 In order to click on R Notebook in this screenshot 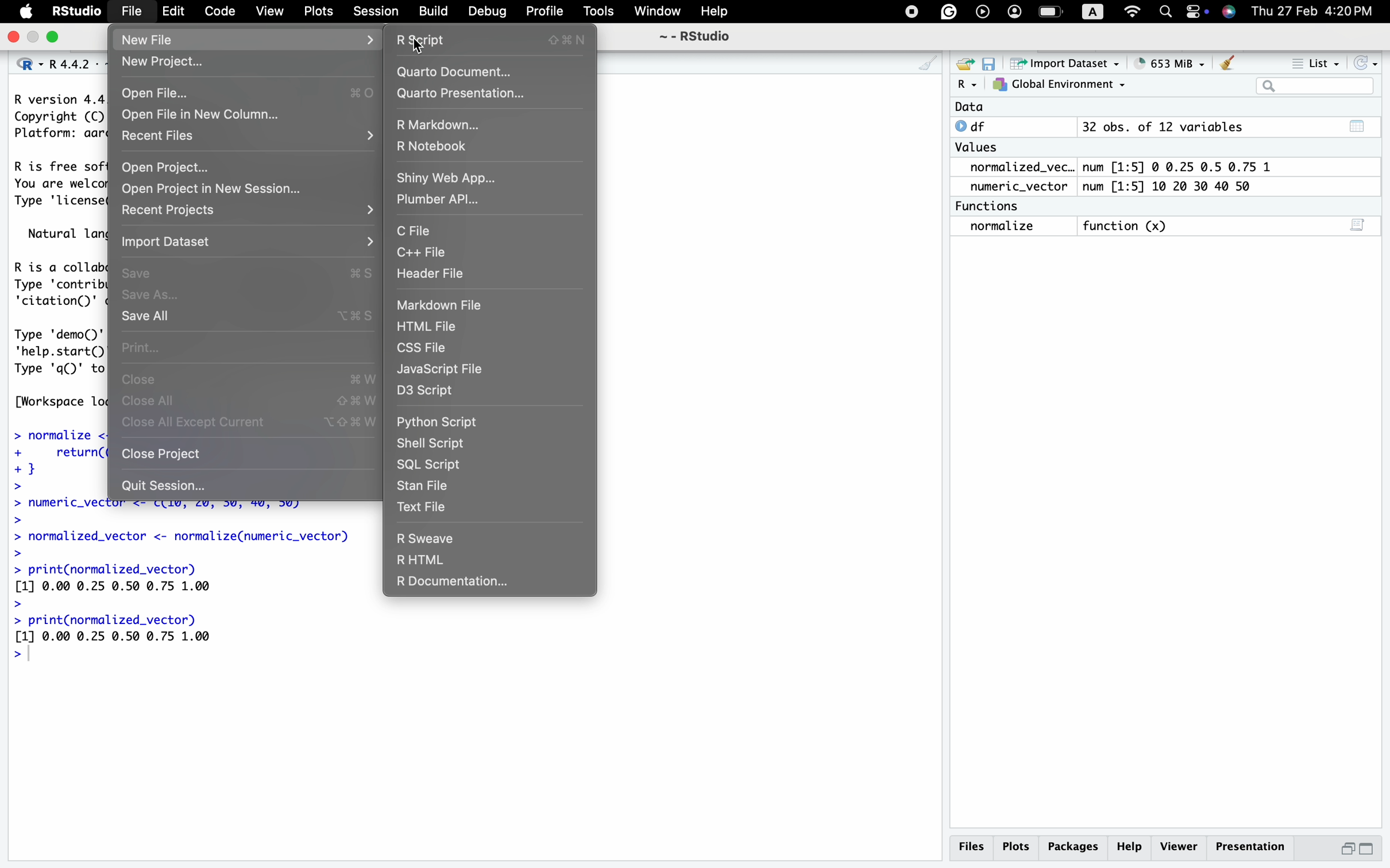, I will do `click(438, 148)`.